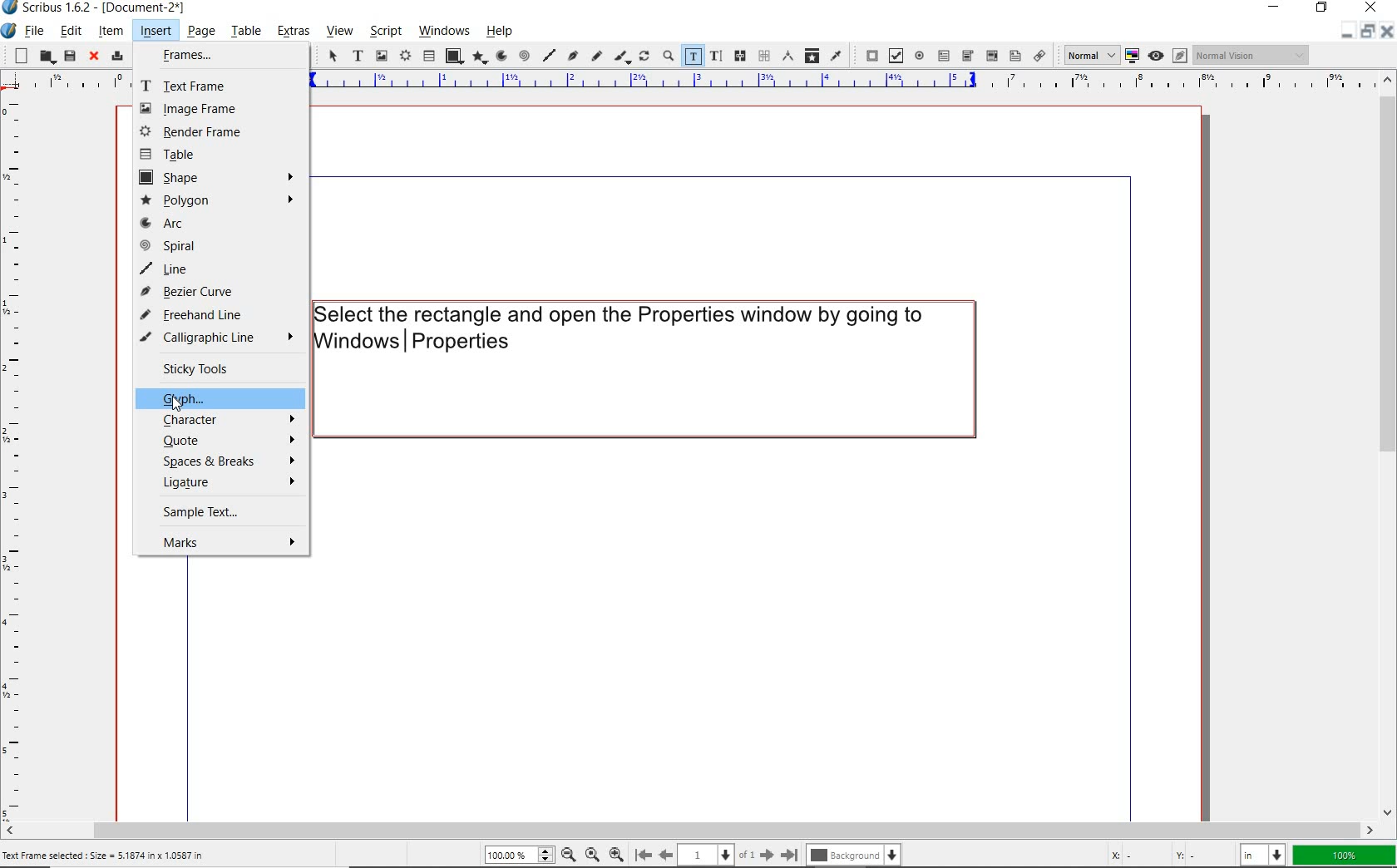  What do you see at coordinates (69, 56) in the screenshot?
I see `save` at bounding box center [69, 56].